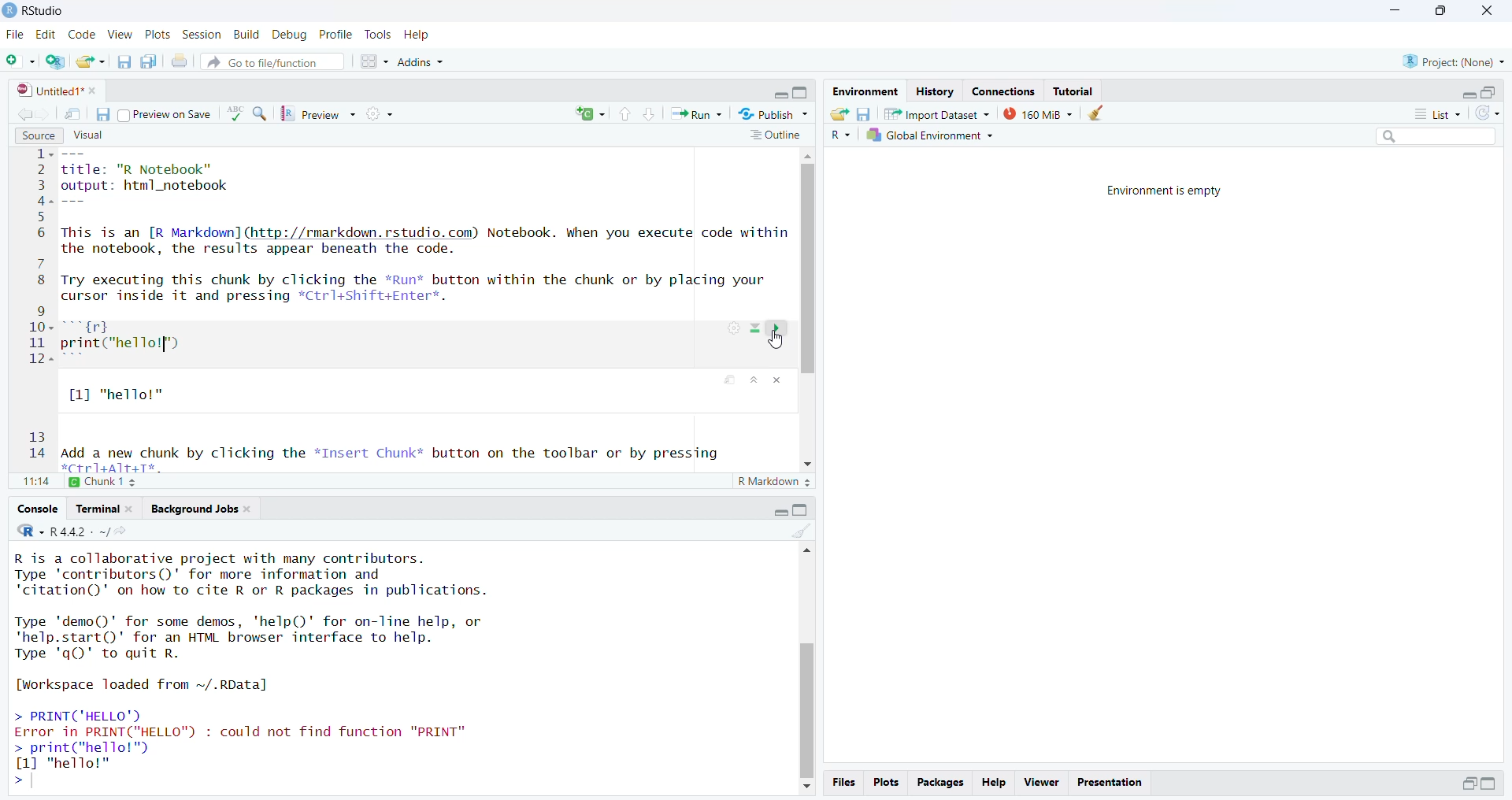 This screenshot has width=1512, height=800. I want to click on close, so click(1484, 10).